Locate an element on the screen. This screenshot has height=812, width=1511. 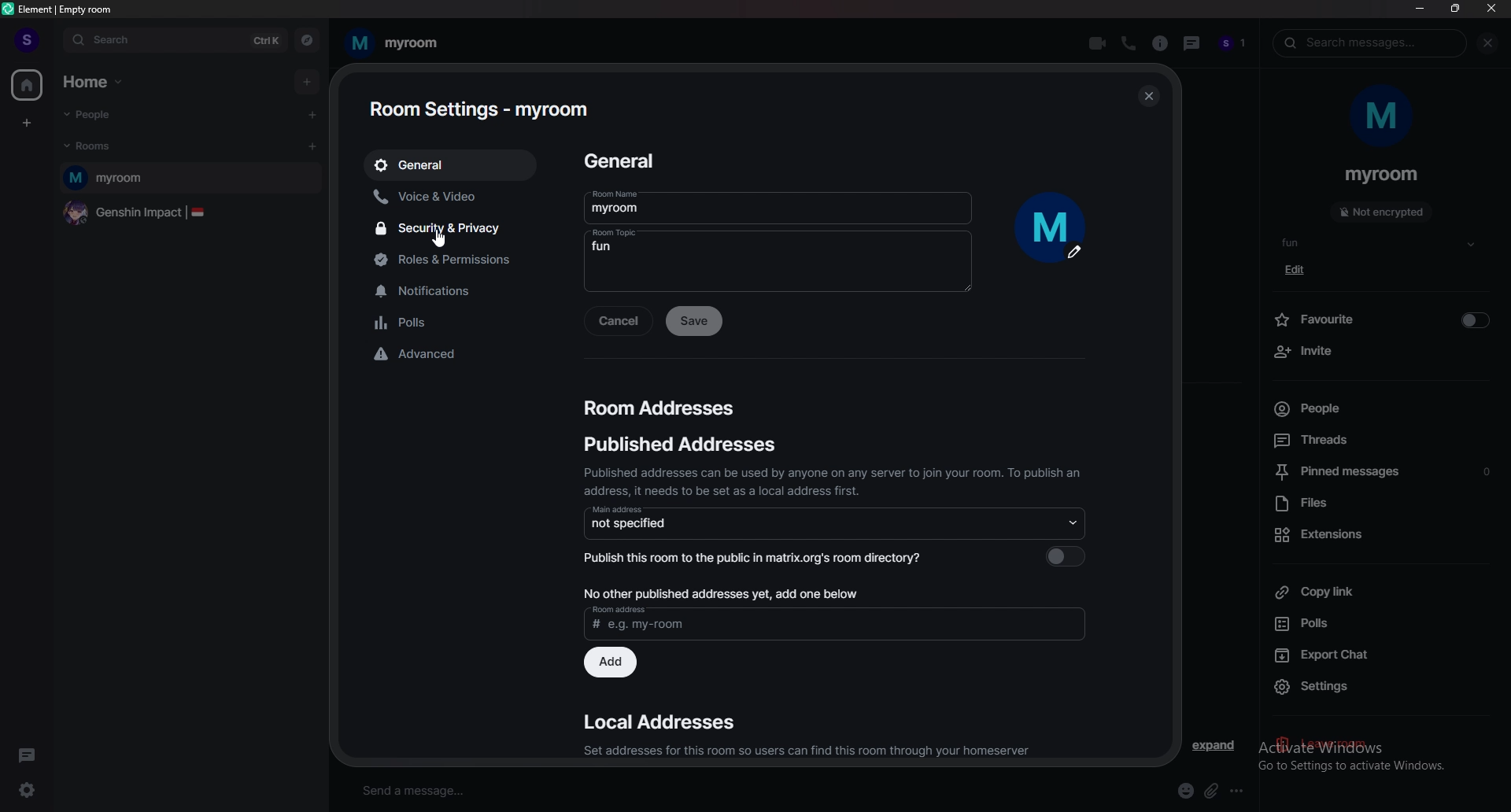
notifications is located at coordinates (452, 291).